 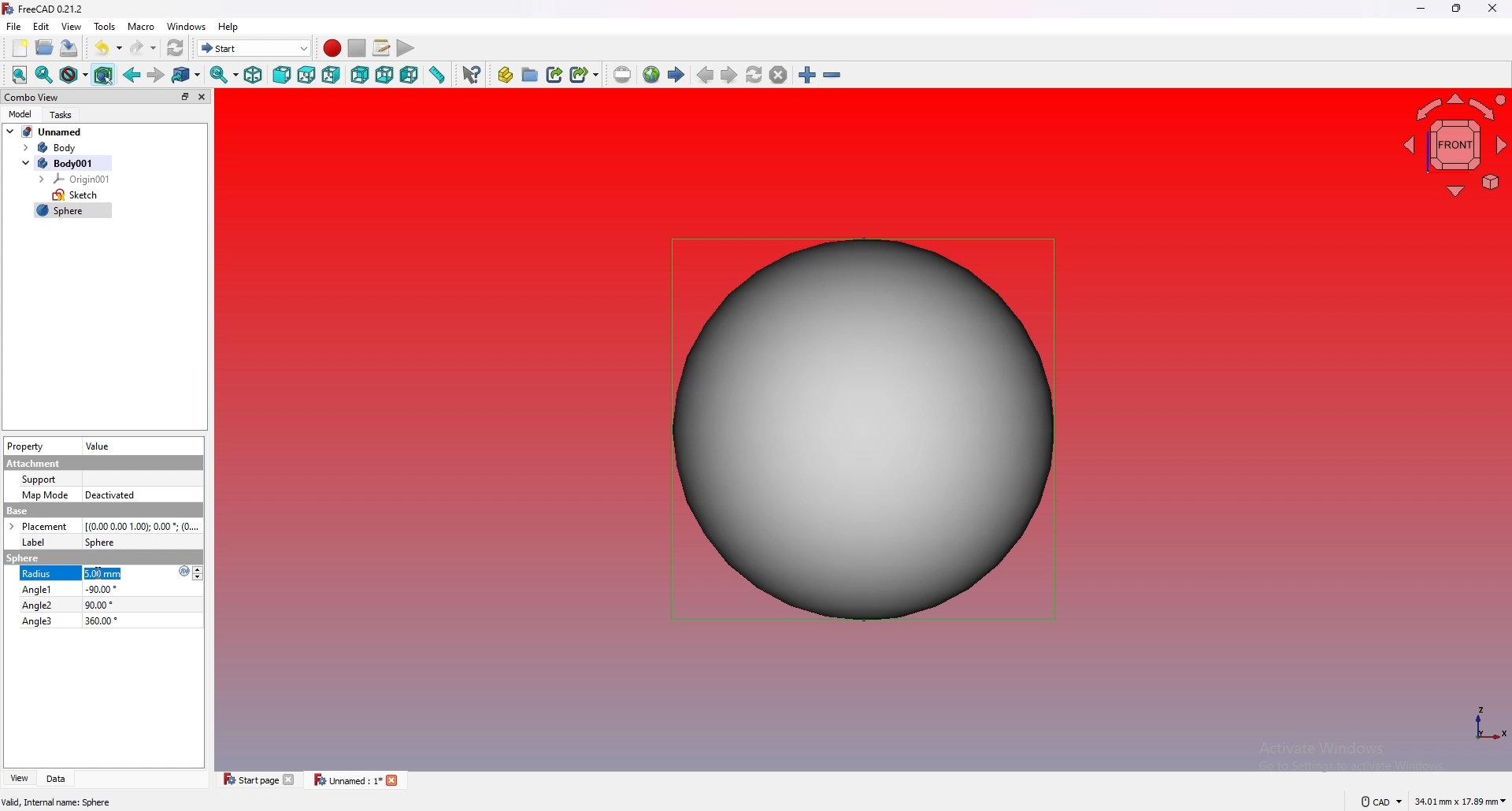 What do you see at coordinates (1456, 9) in the screenshot?
I see `resize` at bounding box center [1456, 9].